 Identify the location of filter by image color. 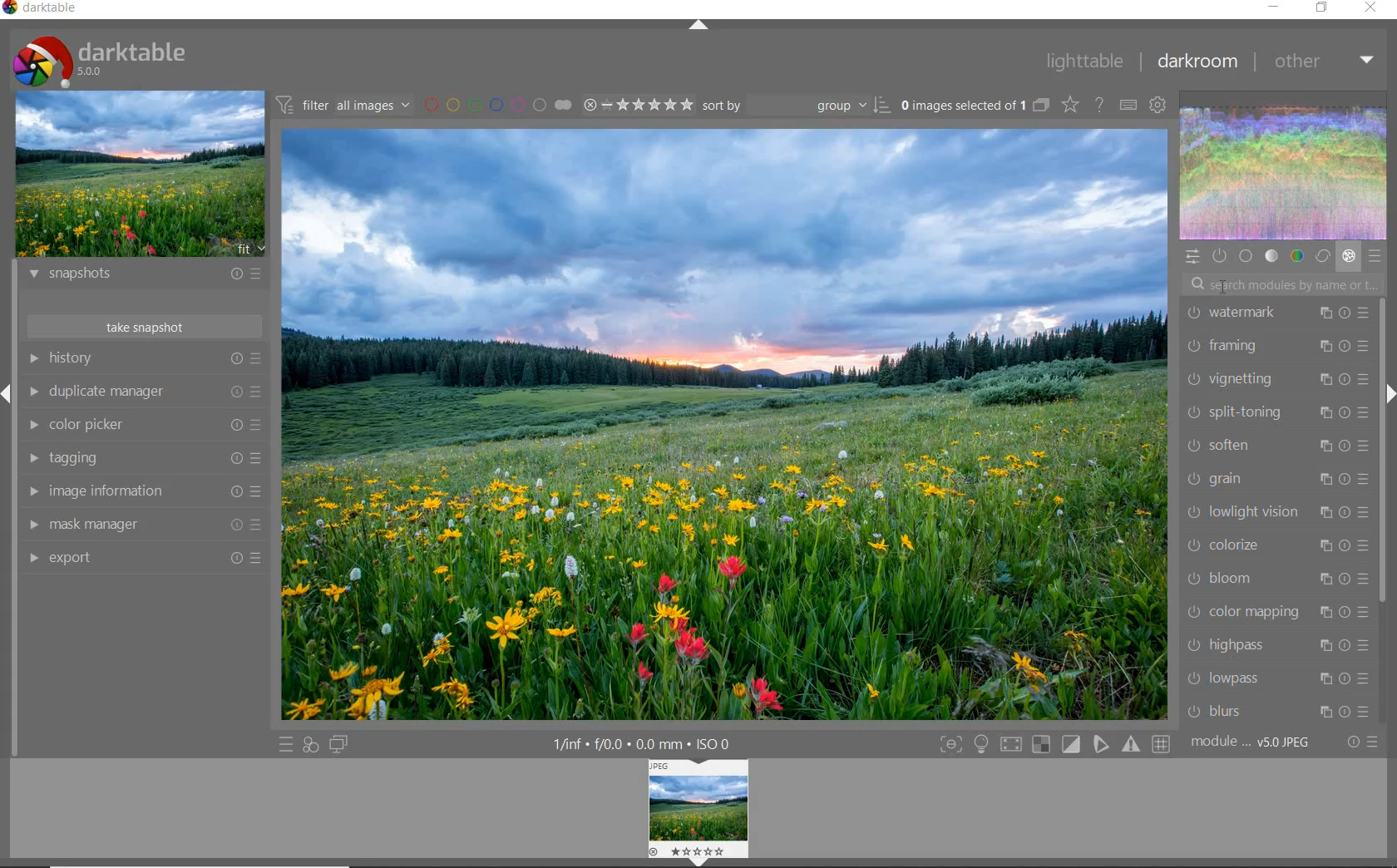
(496, 105).